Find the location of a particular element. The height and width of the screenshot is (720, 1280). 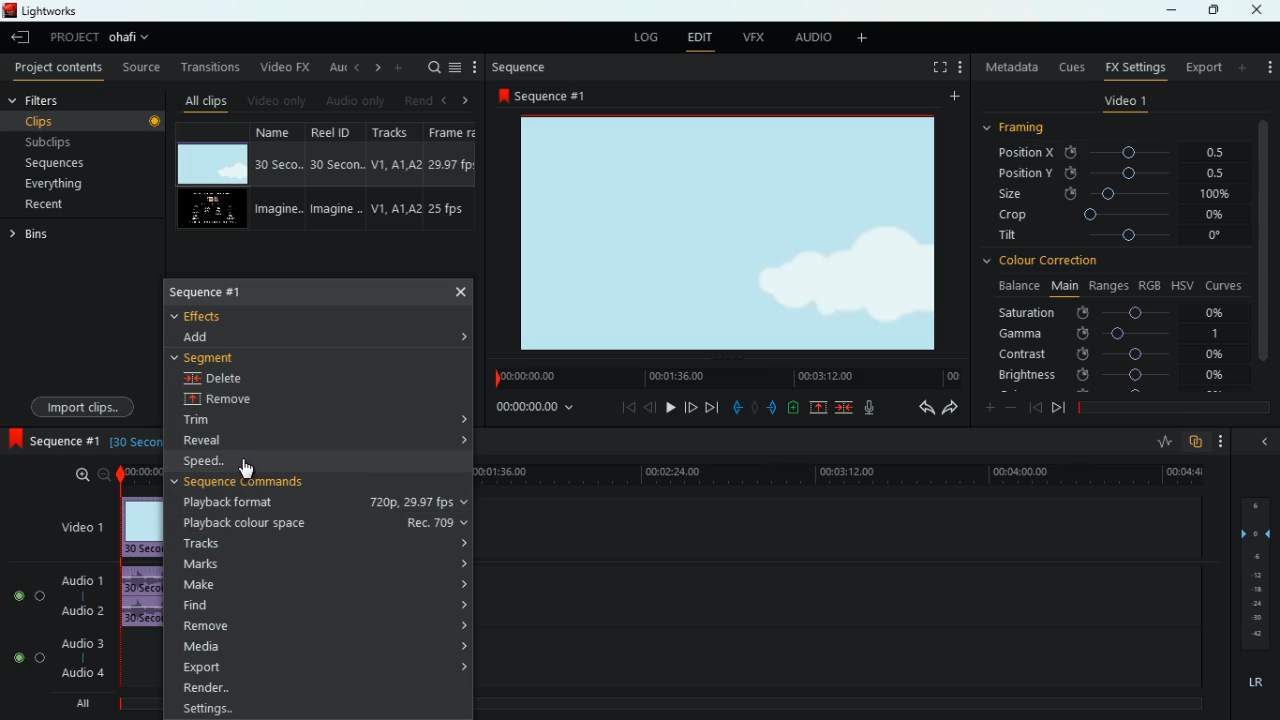

clips is located at coordinates (85, 121).